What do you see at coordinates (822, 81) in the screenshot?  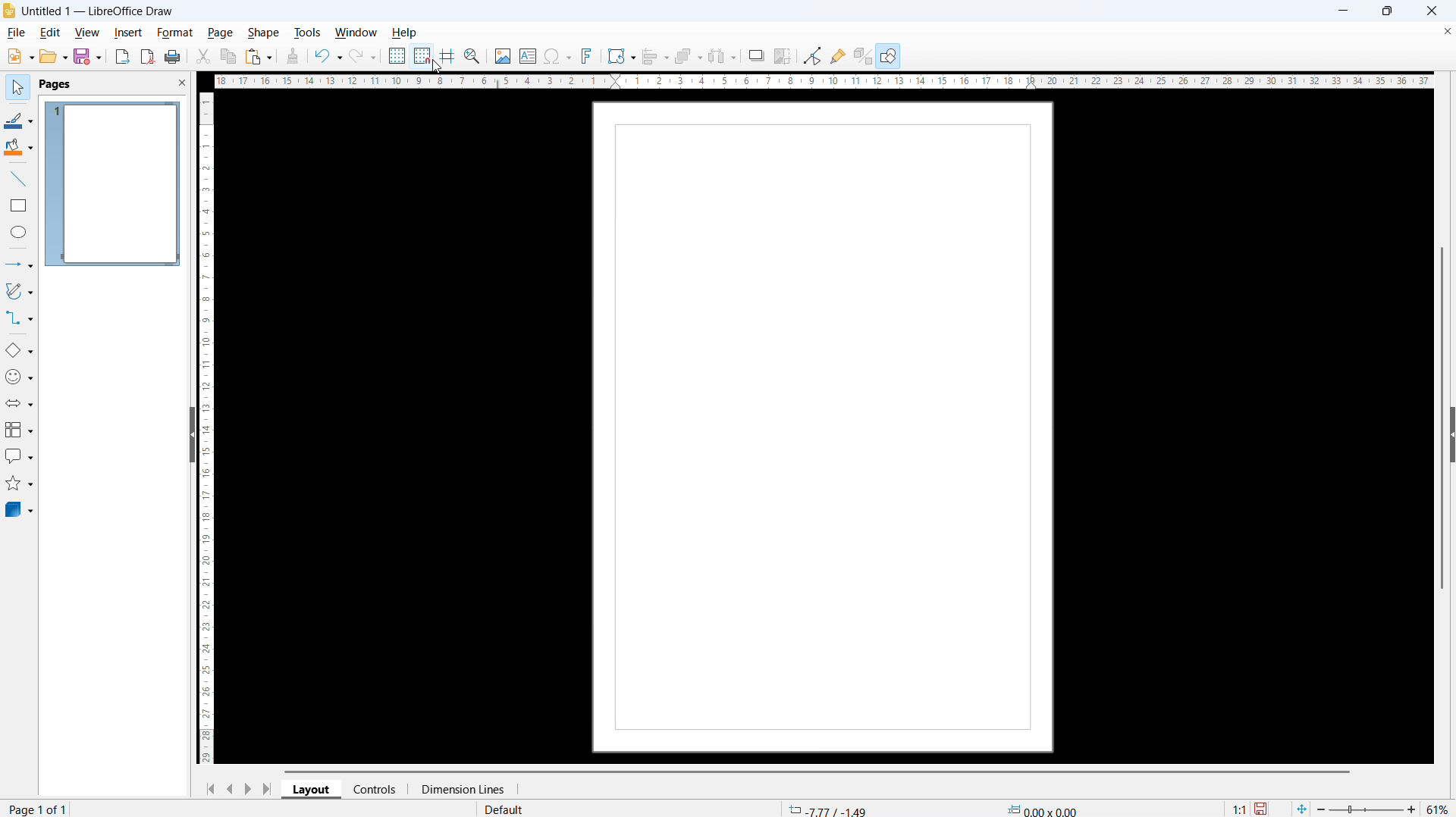 I see `Horizontal ruler ` at bounding box center [822, 81].